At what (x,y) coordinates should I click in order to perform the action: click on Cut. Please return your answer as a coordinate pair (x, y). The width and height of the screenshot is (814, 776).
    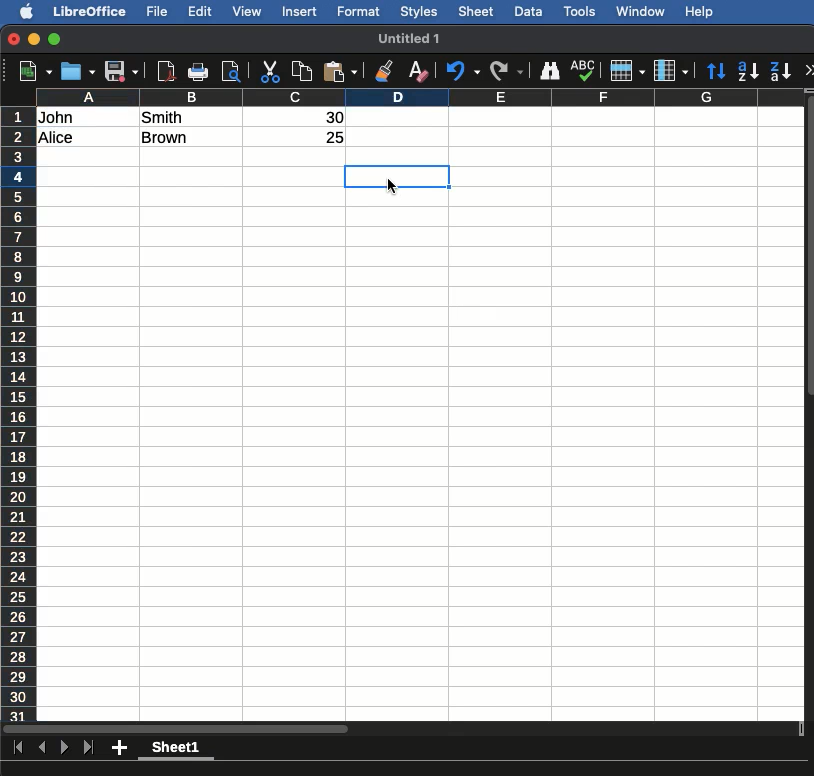
    Looking at the image, I should click on (271, 69).